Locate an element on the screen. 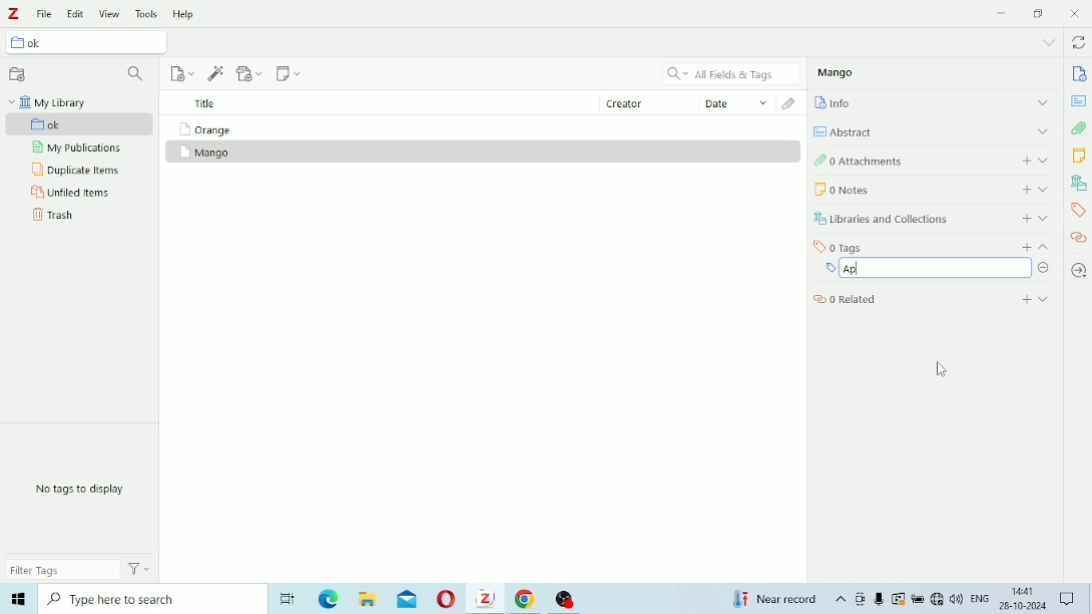 The width and height of the screenshot is (1092, 614). File Explorer is located at coordinates (367, 600).